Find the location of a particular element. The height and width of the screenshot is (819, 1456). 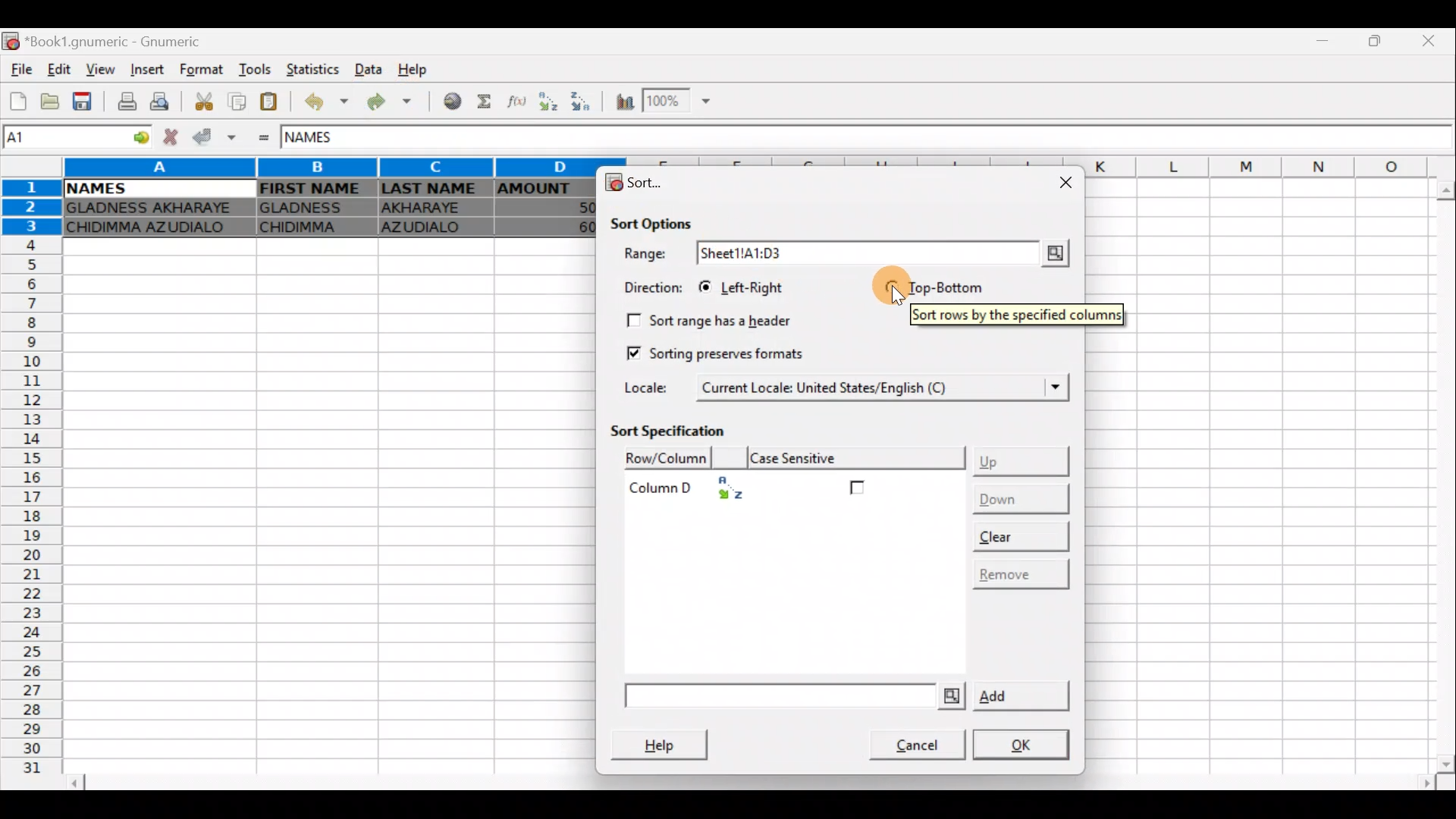

Sheet1!A1:D3 is located at coordinates (778, 253).